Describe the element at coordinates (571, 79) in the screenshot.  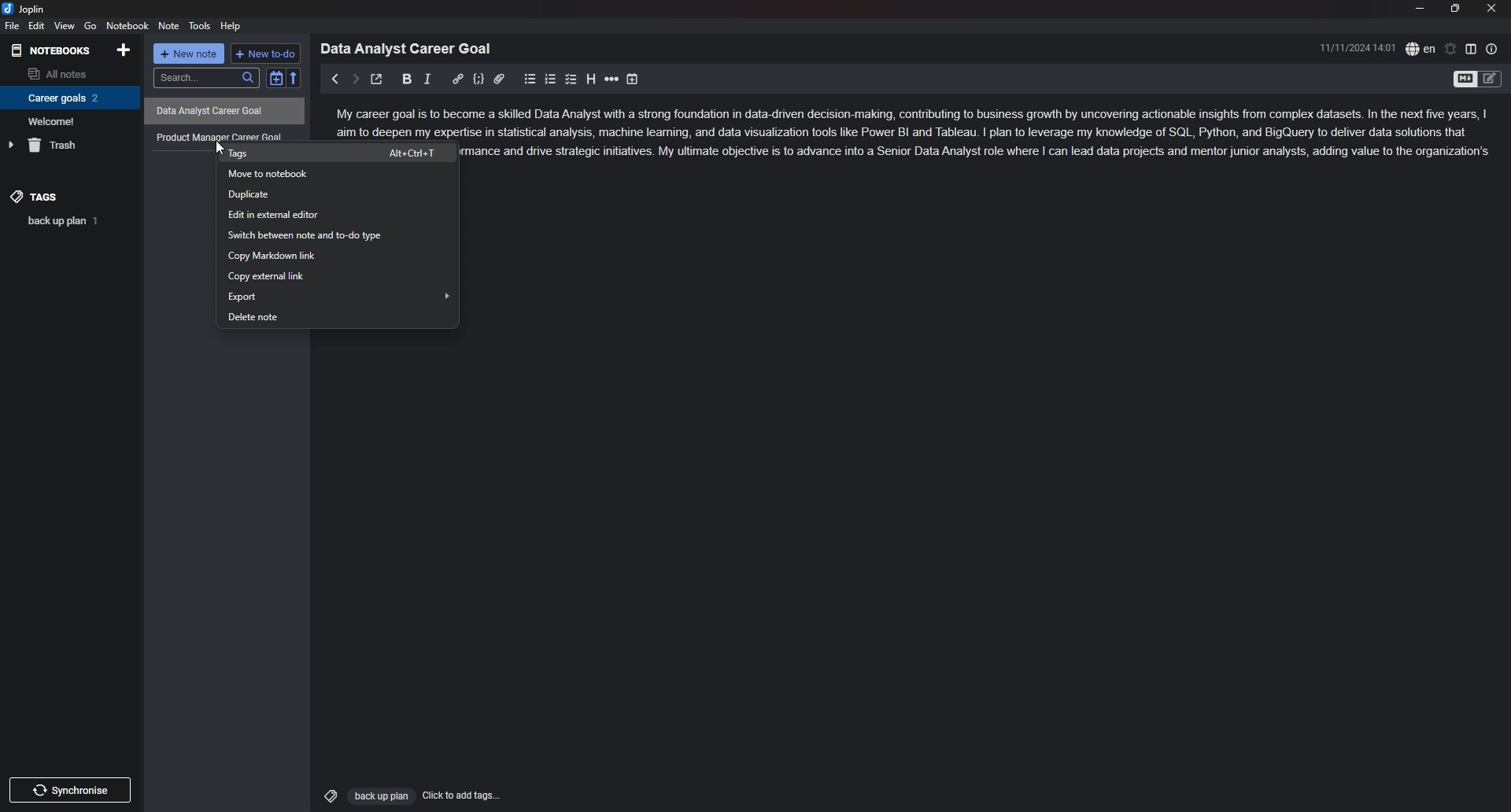
I see `checkbox` at that location.